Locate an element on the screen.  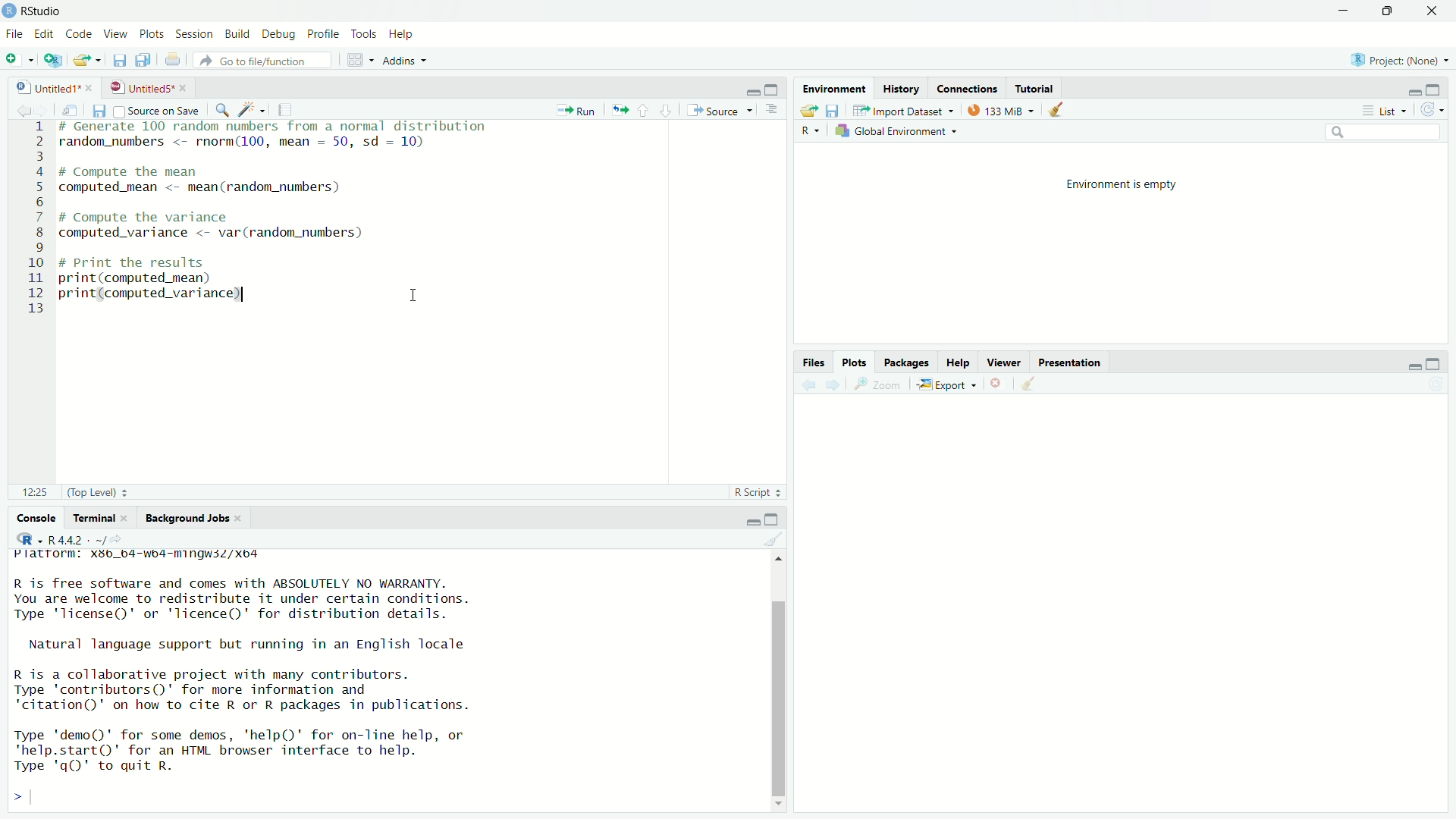
load workspace is located at coordinates (808, 110).